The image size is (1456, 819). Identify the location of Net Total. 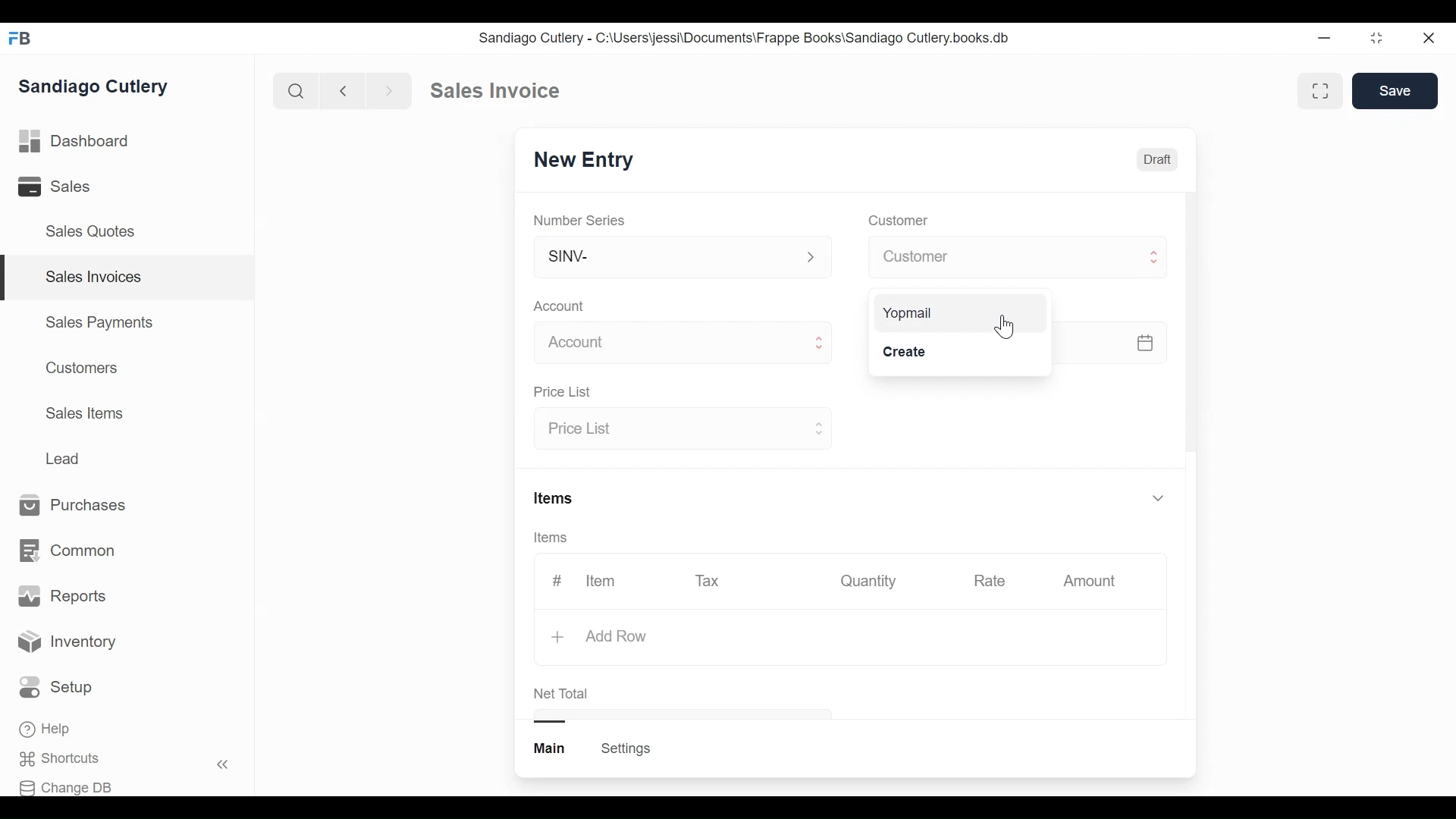
(564, 693).